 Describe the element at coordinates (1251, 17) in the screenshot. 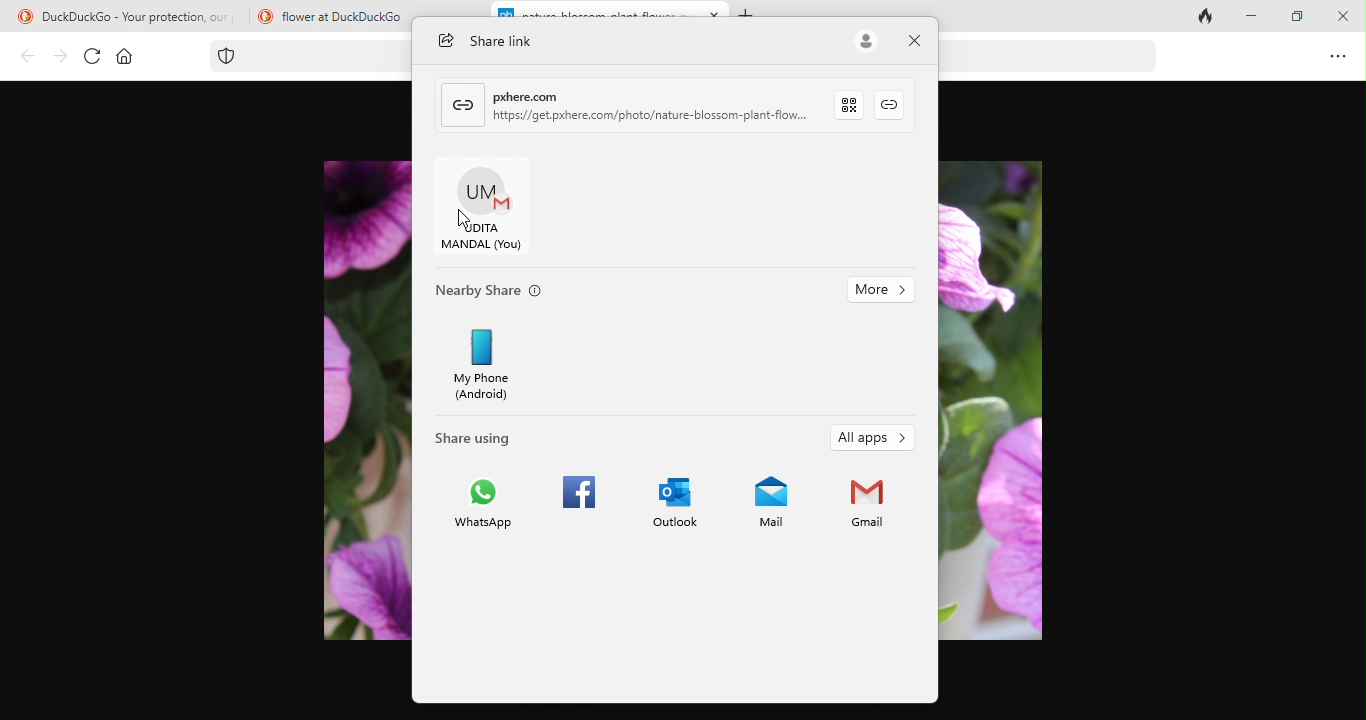

I see `minimize` at that location.